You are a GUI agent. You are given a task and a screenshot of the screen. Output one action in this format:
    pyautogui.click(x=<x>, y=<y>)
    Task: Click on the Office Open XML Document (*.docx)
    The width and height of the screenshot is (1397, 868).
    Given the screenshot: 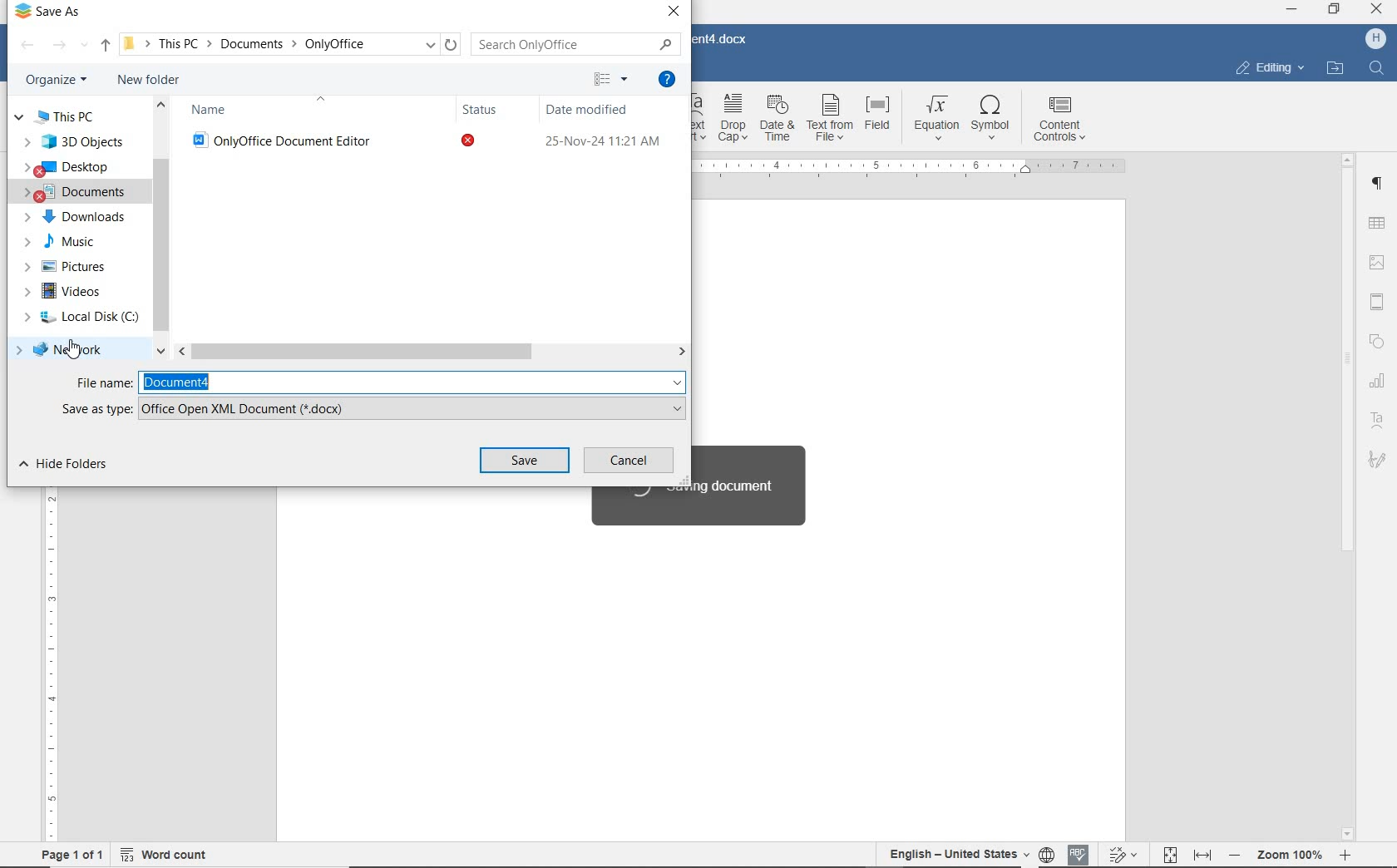 What is the action you would take?
    pyautogui.click(x=258, y=407)
    